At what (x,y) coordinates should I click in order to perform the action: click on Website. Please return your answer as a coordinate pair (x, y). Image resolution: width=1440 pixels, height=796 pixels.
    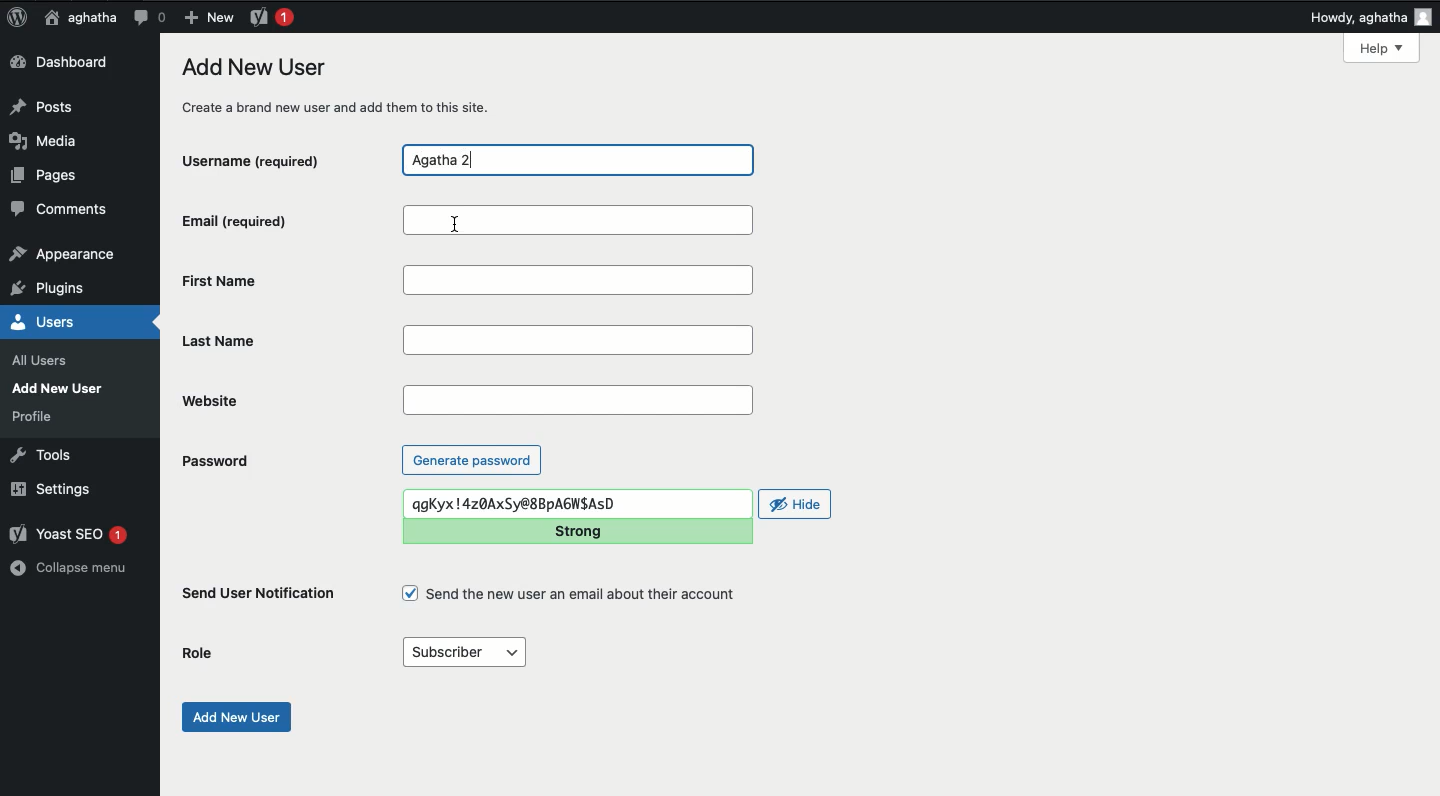
    Looking at the image, I should click on (578, 400).